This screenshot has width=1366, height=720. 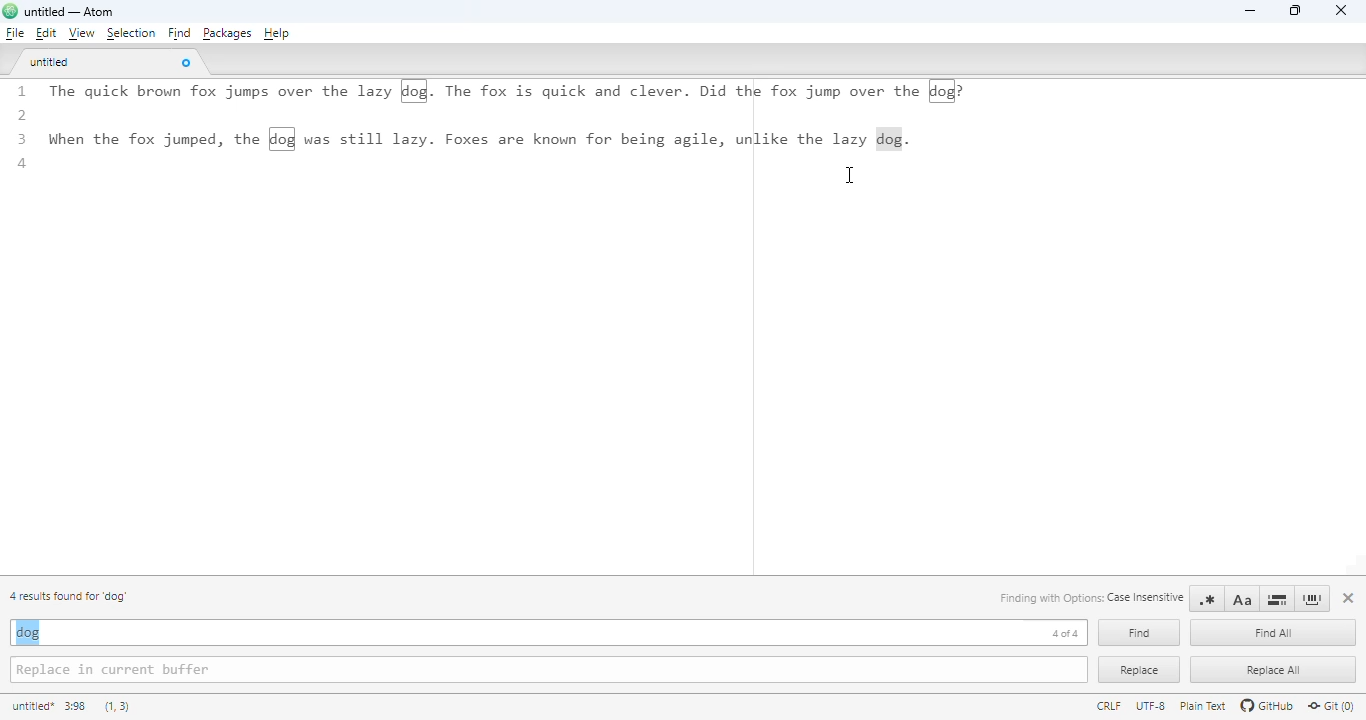 What do you see at coordinates (282, 139) in the screenshot?
I see `highlighted occurrence of 'dog'` at bounding box center [282, 139].